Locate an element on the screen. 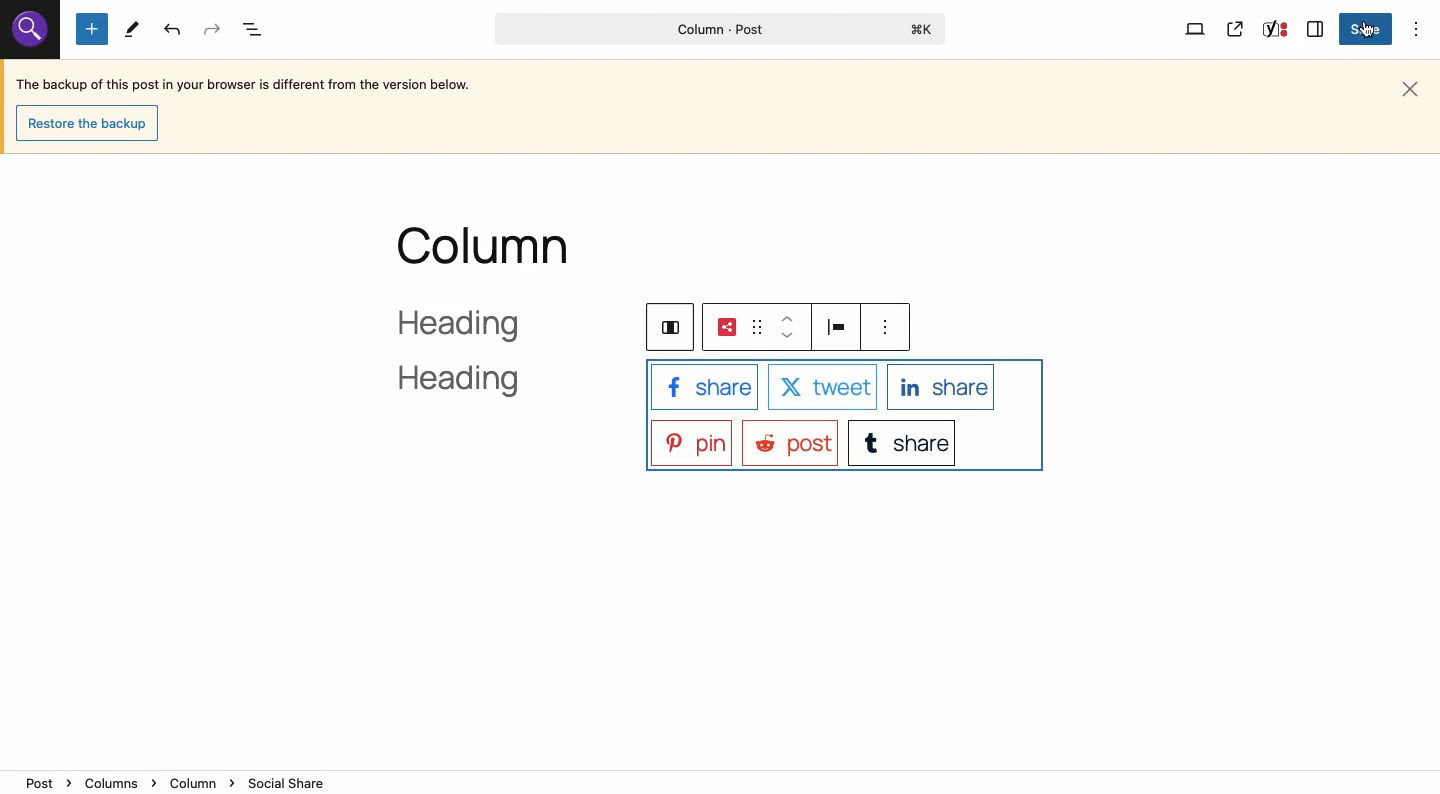  columns is located at coordinates (666, 325).